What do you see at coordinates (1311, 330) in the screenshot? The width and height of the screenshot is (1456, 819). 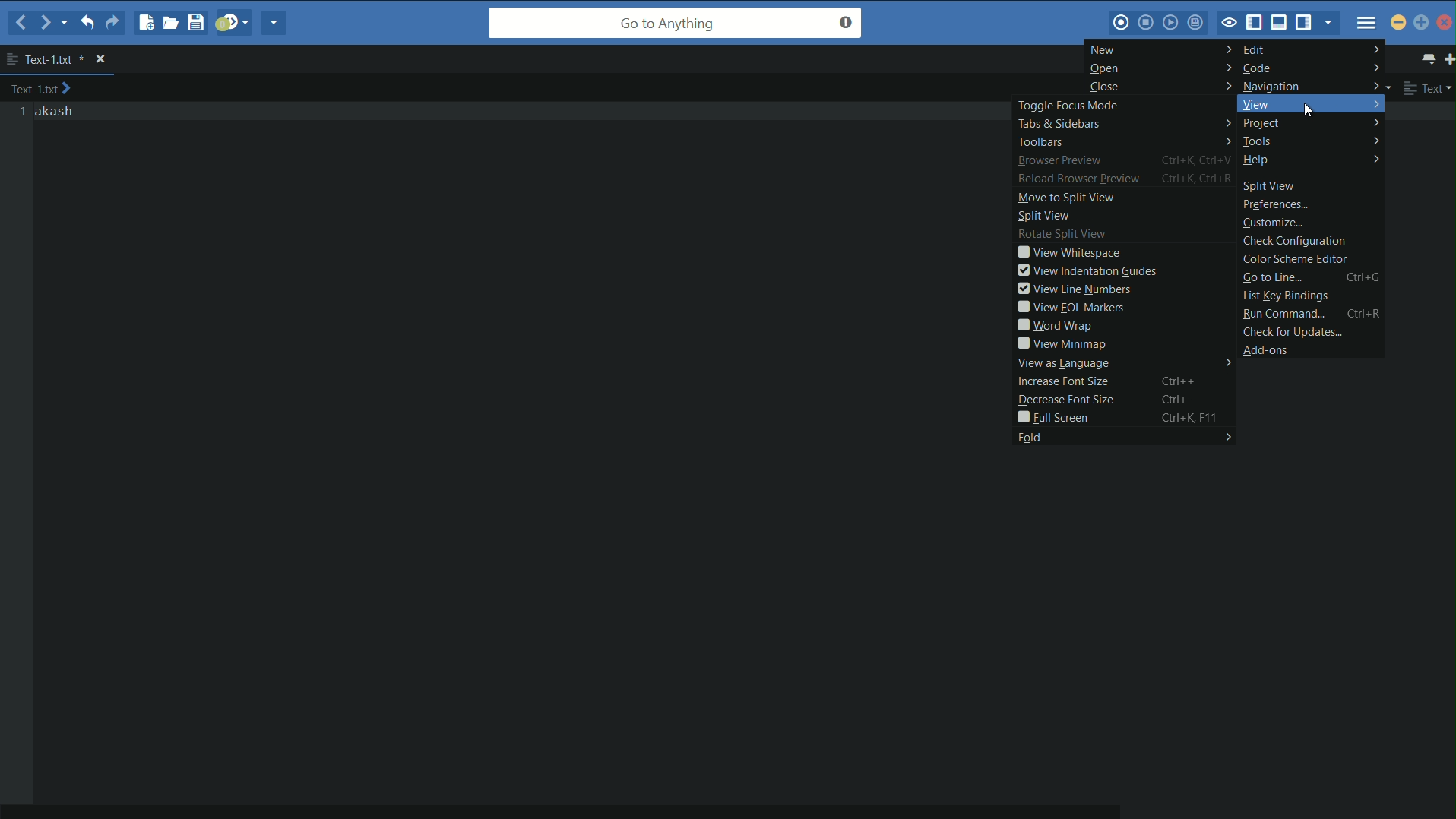 I see `check for updates` at bounding box center [1311, 330].